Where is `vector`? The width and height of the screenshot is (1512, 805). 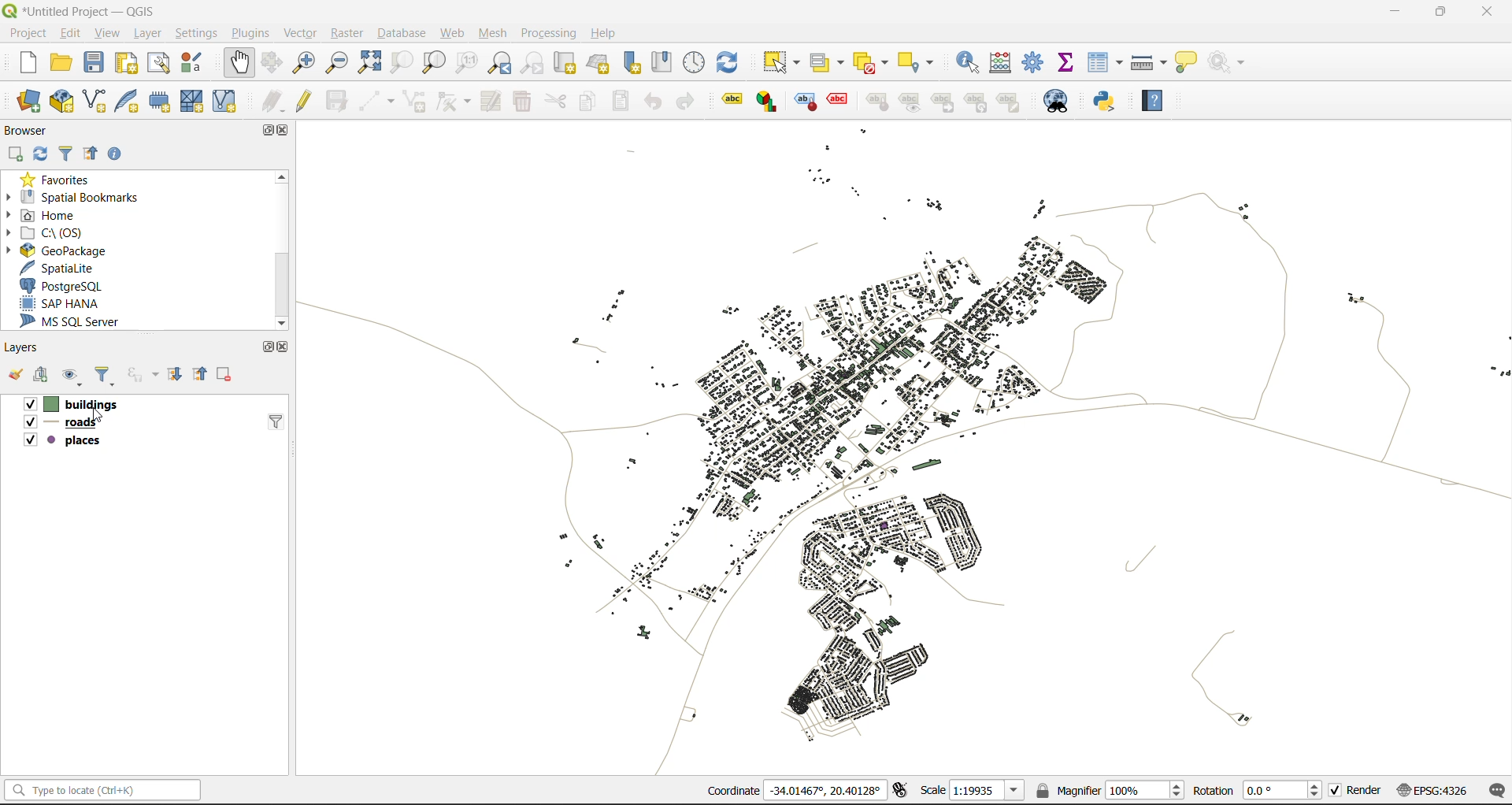 vector is located at coordinates (306, 35).